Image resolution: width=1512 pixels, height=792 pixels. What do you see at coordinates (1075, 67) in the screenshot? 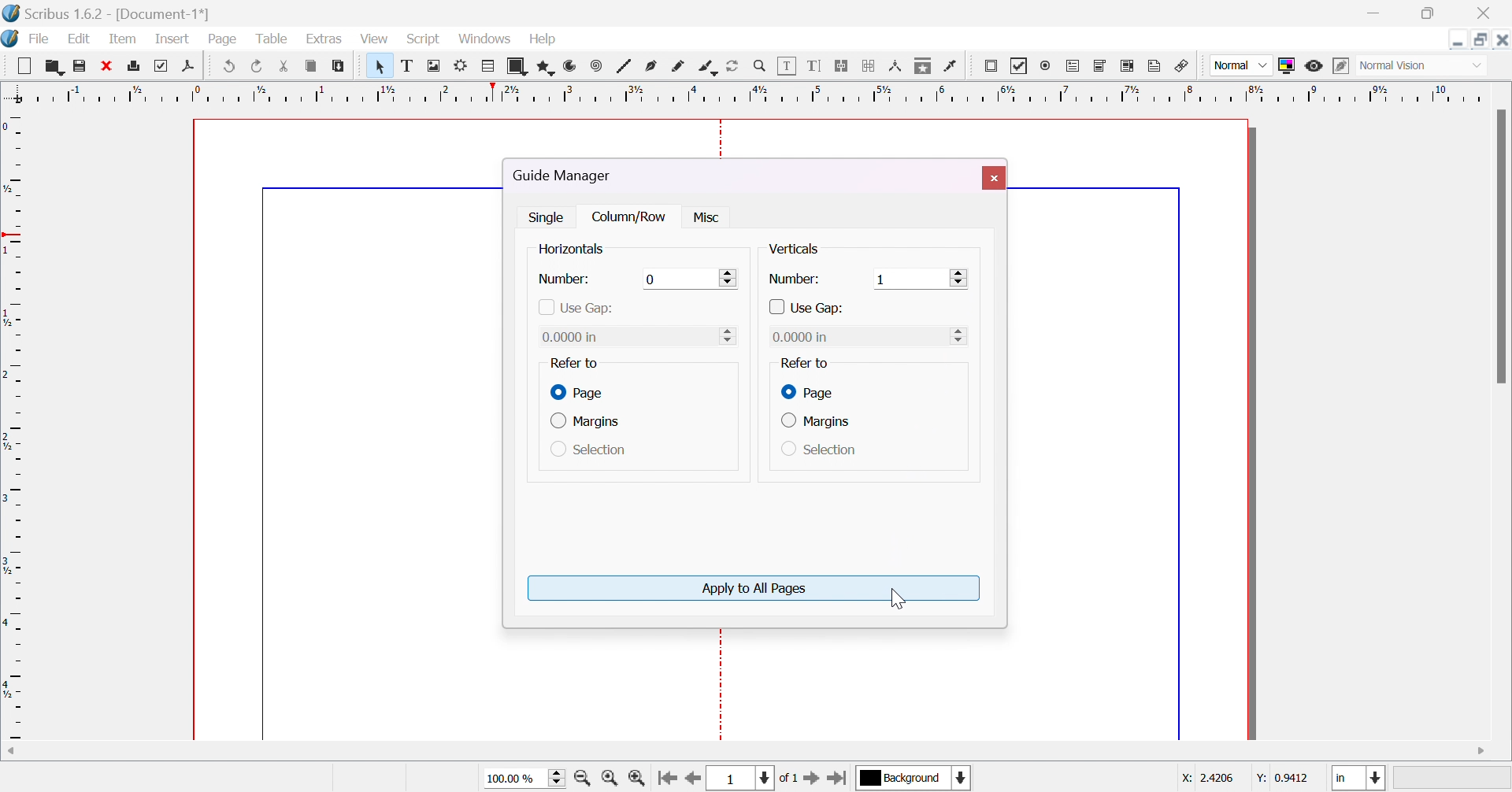
I see `PDF text field` at bounding box center [1075, 67].